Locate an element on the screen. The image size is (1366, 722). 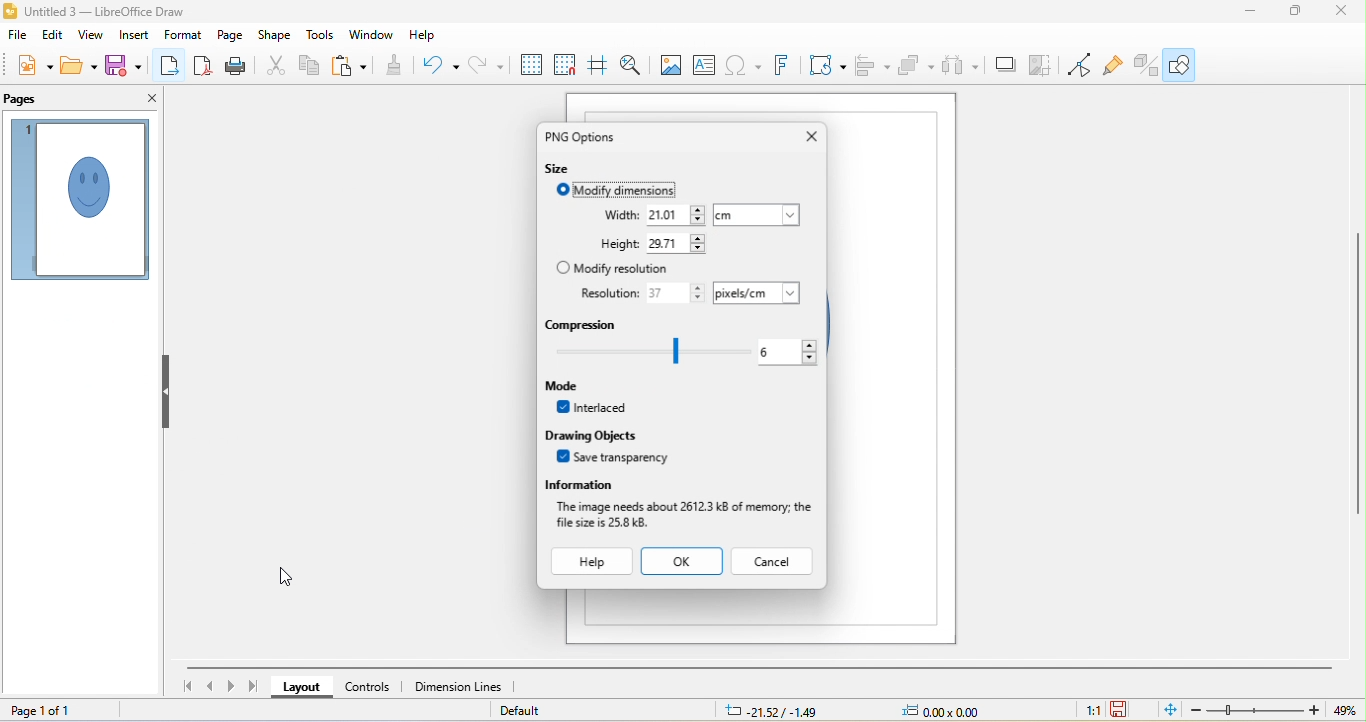
show draw functions is located at coordinates (1180, 64).